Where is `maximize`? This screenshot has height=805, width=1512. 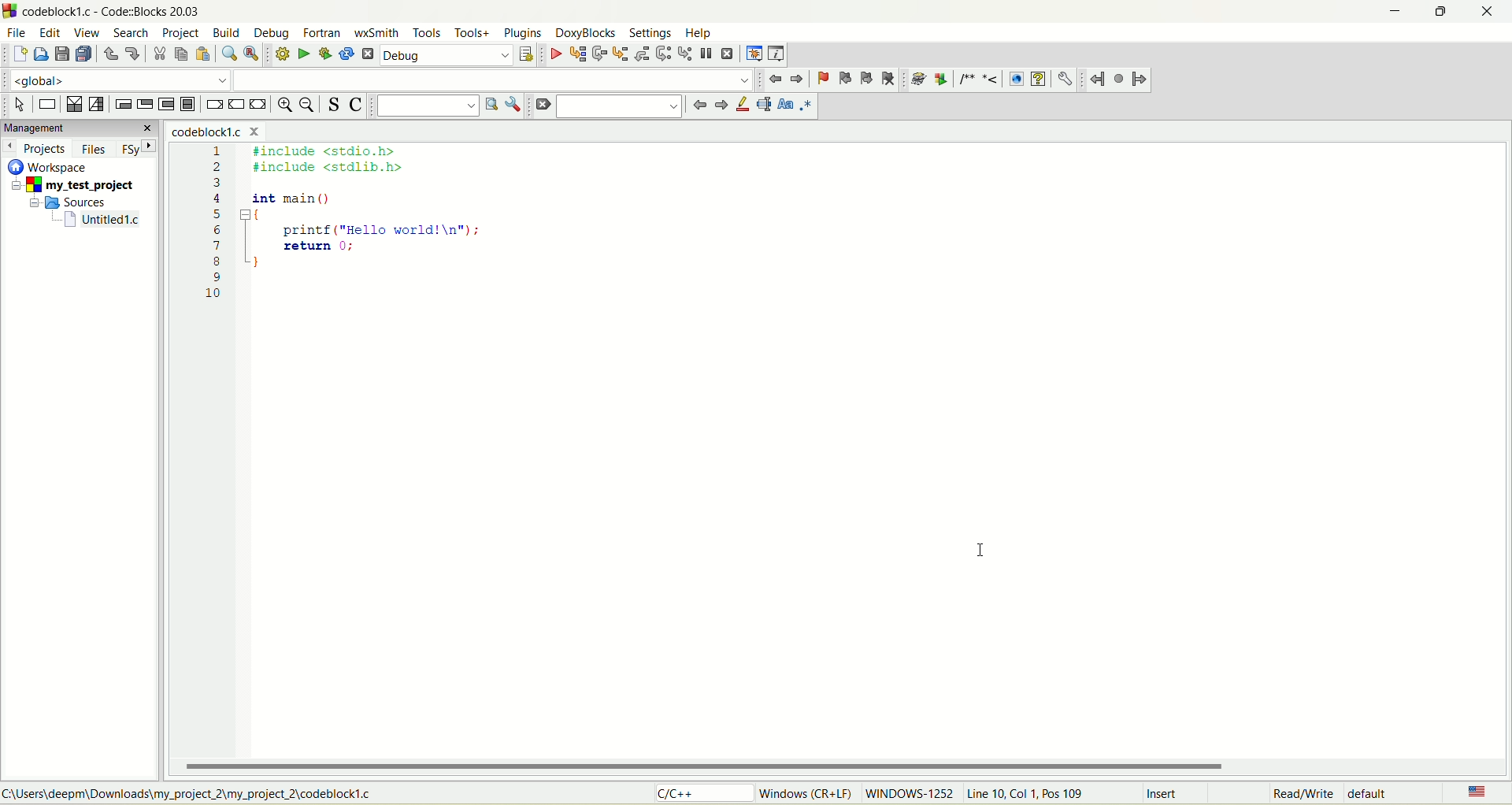 maximize is located at coordinates (1436, 16).